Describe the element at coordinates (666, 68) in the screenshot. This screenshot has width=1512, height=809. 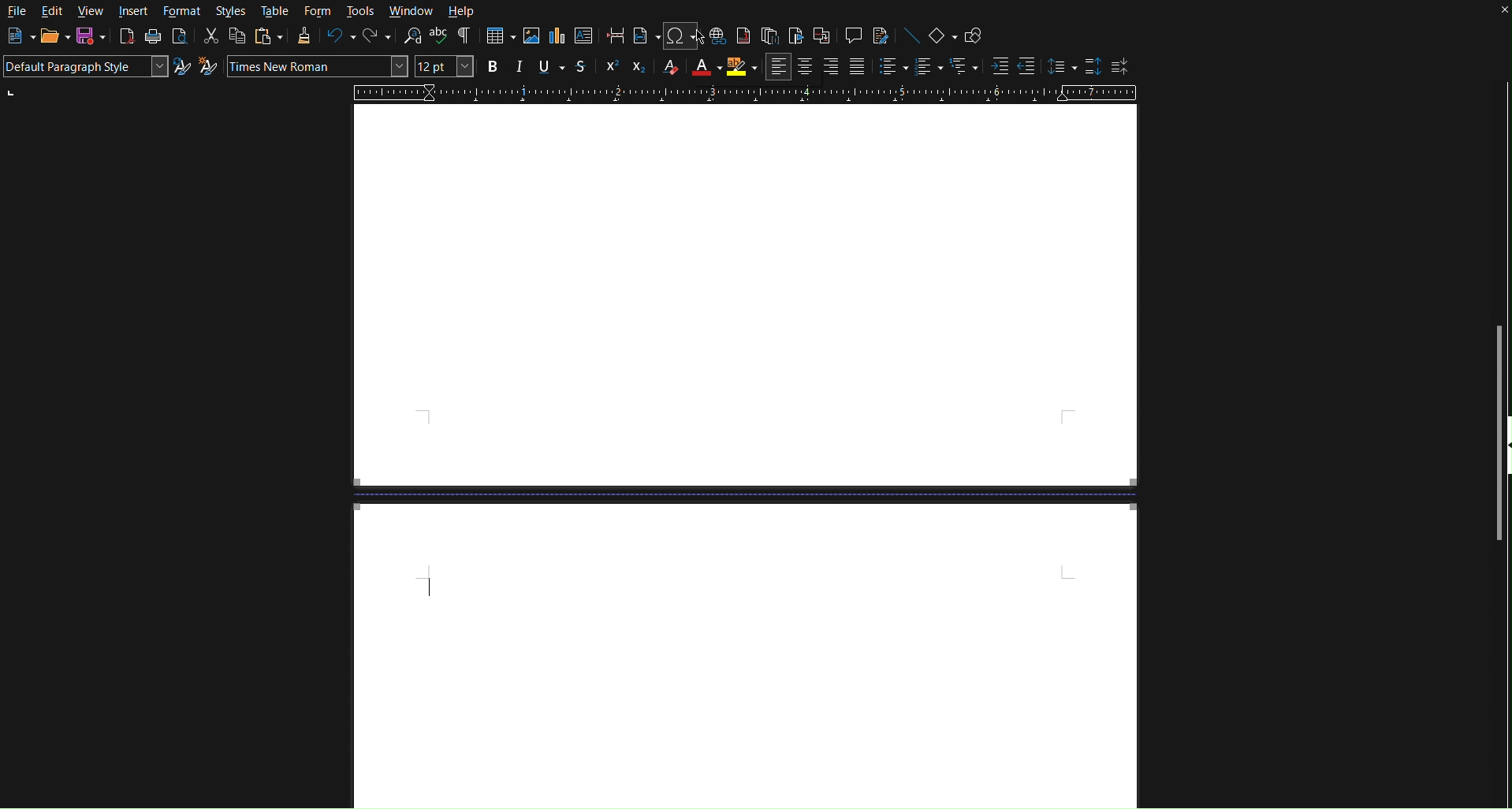
I see `Remove Formatting` at that location.